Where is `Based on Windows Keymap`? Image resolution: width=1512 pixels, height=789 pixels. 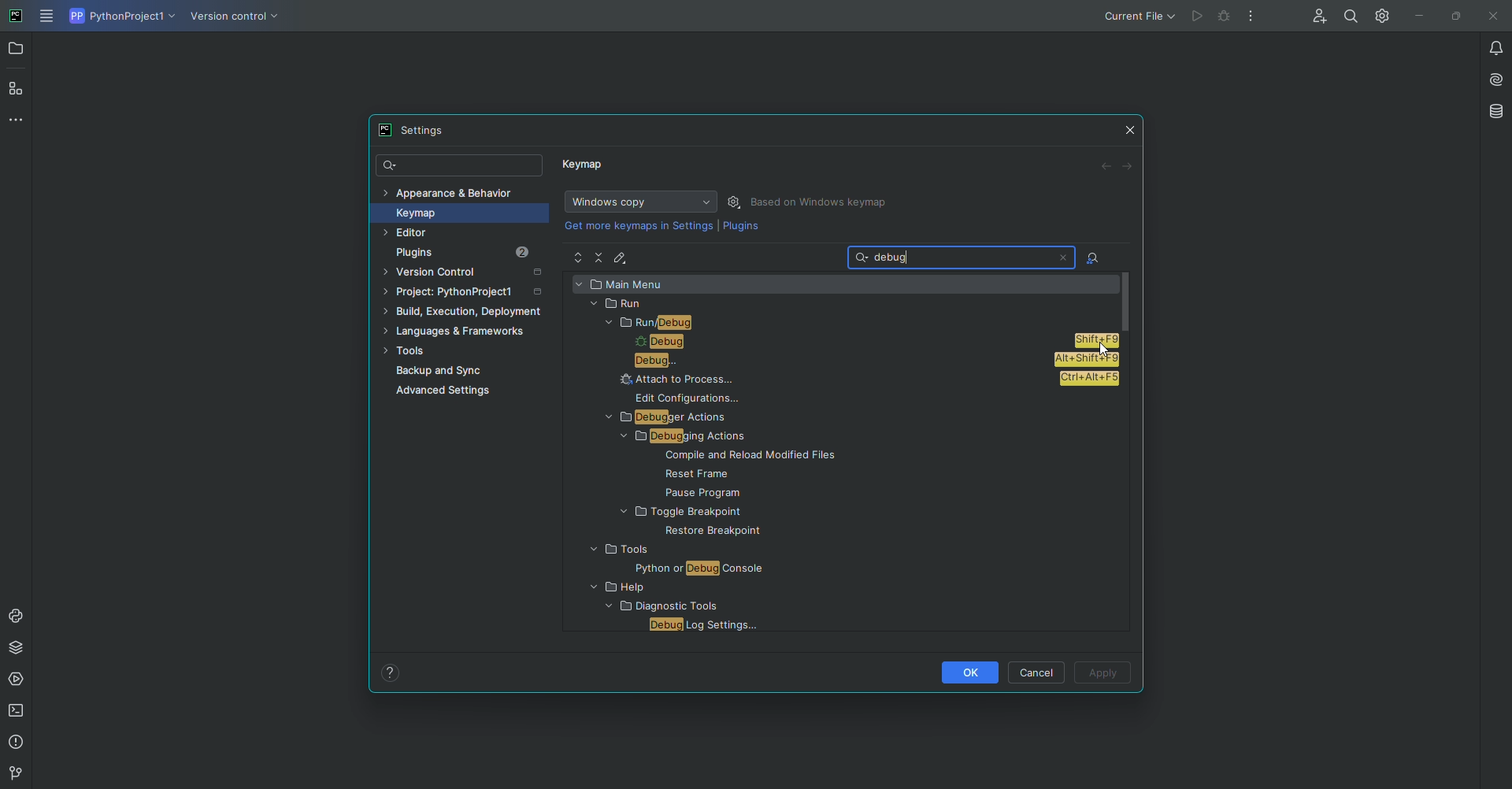
Based on Windows Keymap is located at coordinates (822, 202).